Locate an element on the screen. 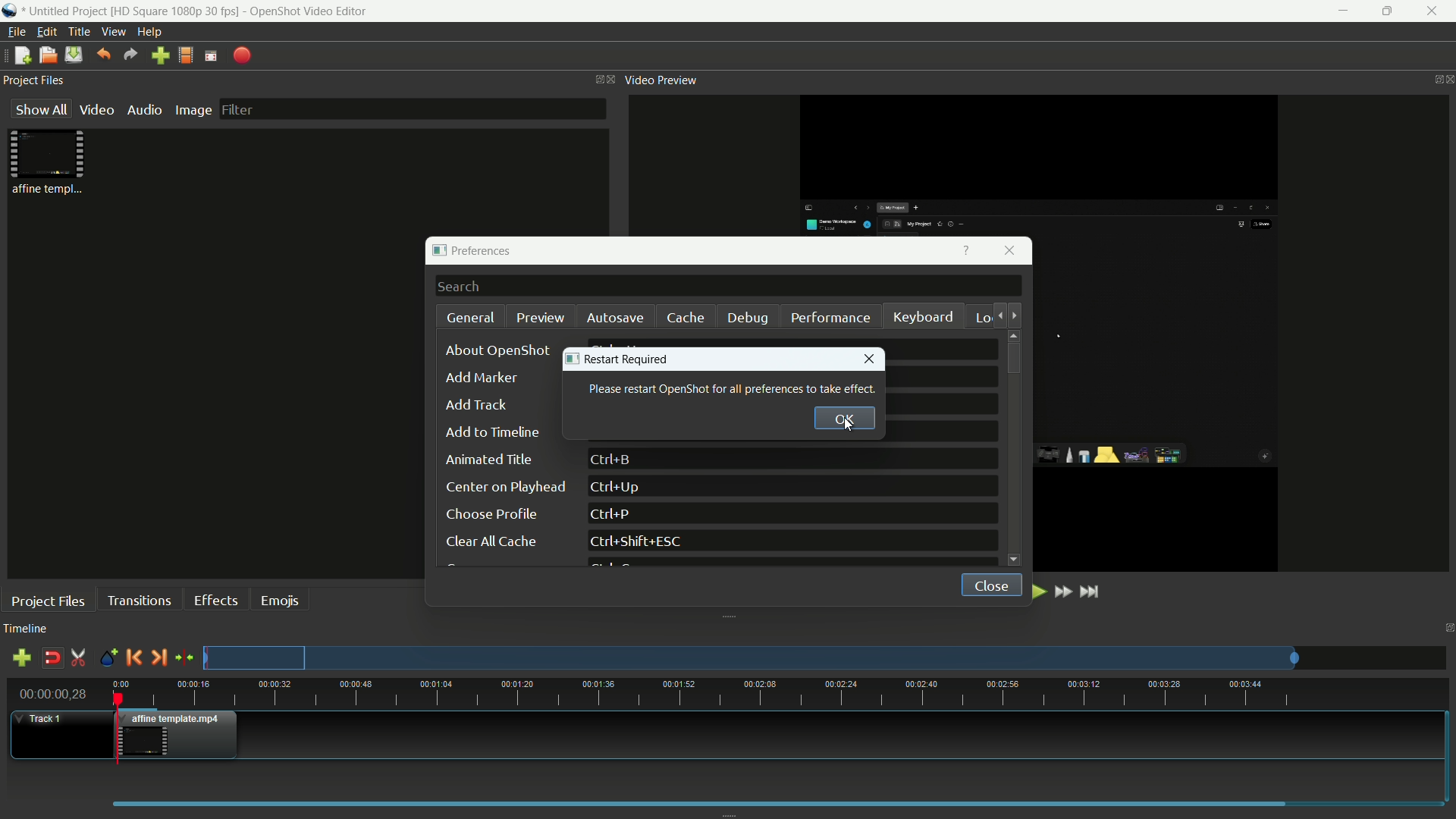  keyboard is located at coordinates (924, 318).